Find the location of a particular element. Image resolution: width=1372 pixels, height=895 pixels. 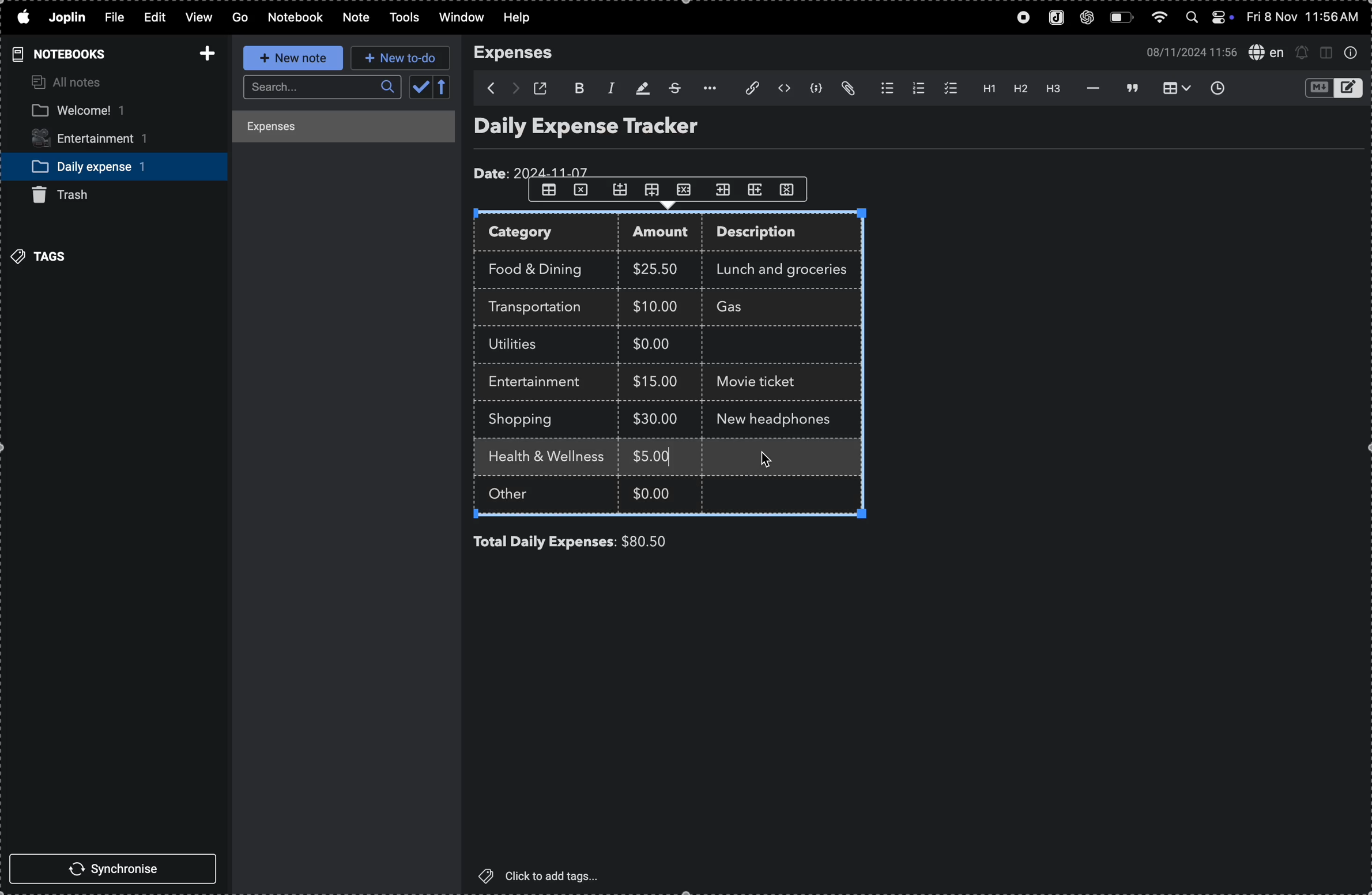

total daily expenses is located at coordinates (545, 542).